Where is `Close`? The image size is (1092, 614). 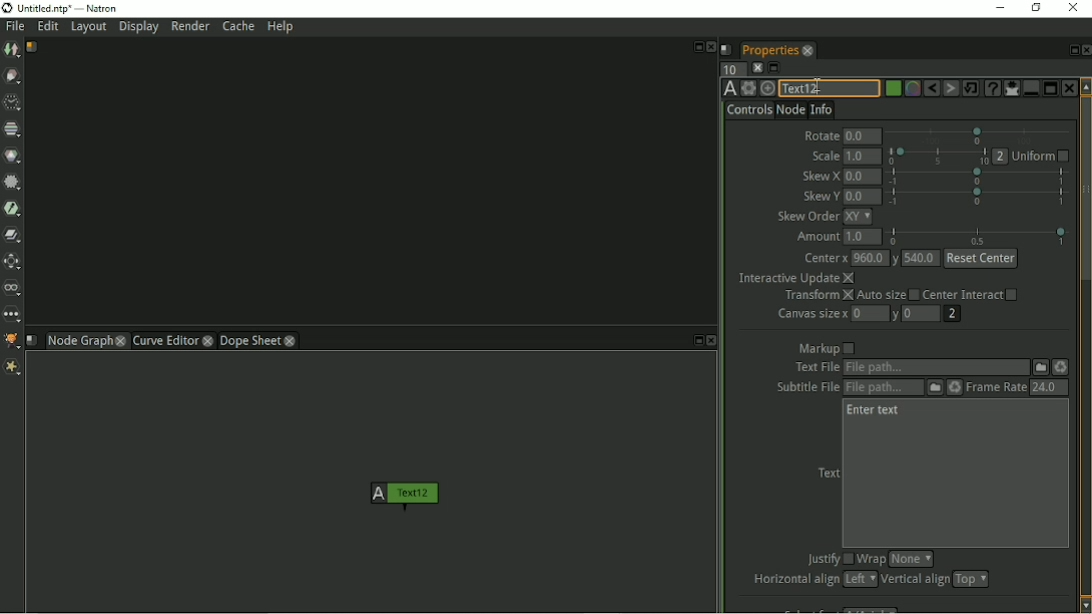 Close is located at coordinates (712, 341).